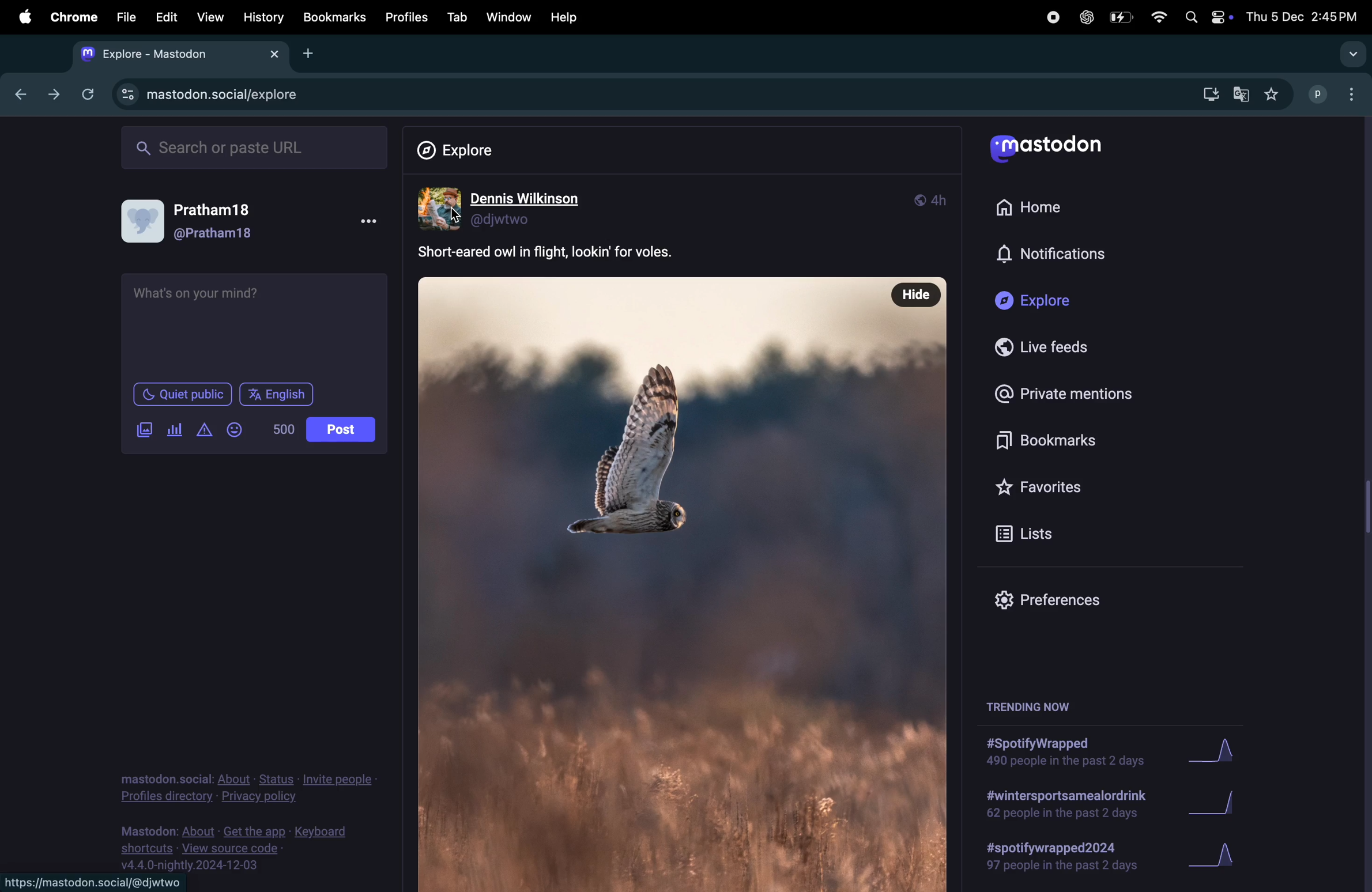 Image resolution: width=1372 pixels, height=892 pixels. What do you see at coordinates (335, 17) in the screenshot?
I see `Bookmark` at bounding box center [335, 17].